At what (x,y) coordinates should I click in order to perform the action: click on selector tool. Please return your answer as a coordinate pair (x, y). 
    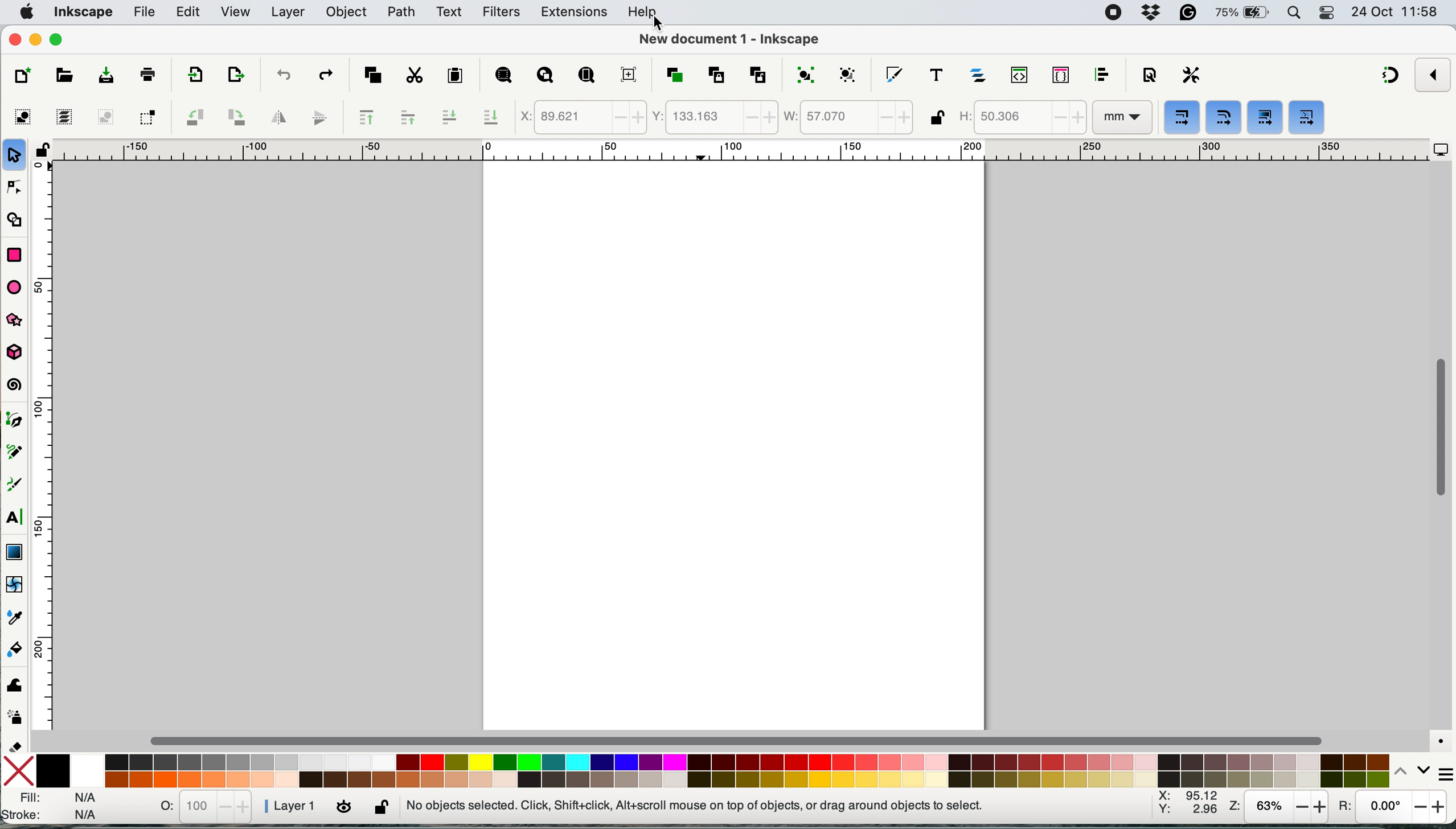
    Looking at the image, I should click on (14, 152).